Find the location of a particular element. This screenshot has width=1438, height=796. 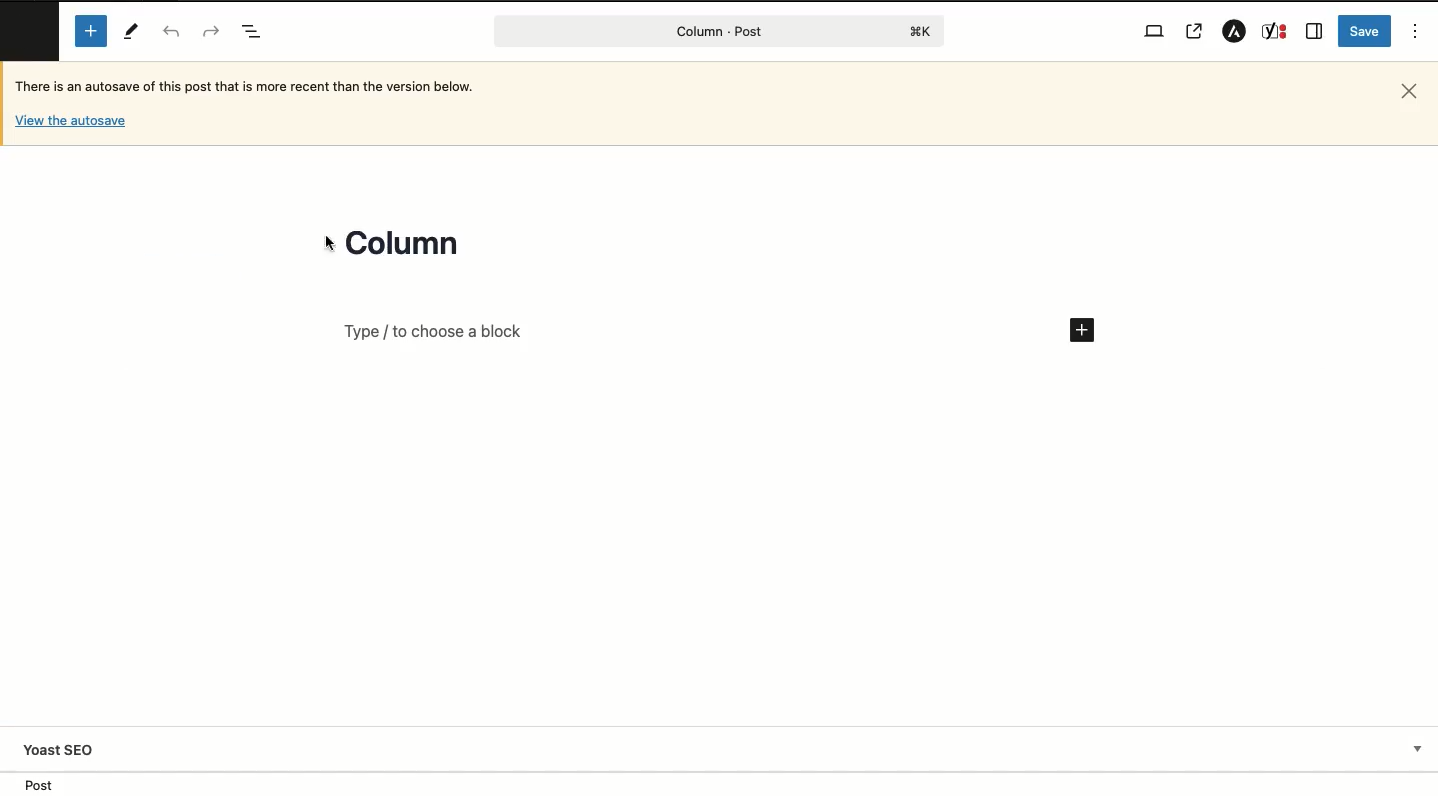

Close is located at coordinates (1406, 92).